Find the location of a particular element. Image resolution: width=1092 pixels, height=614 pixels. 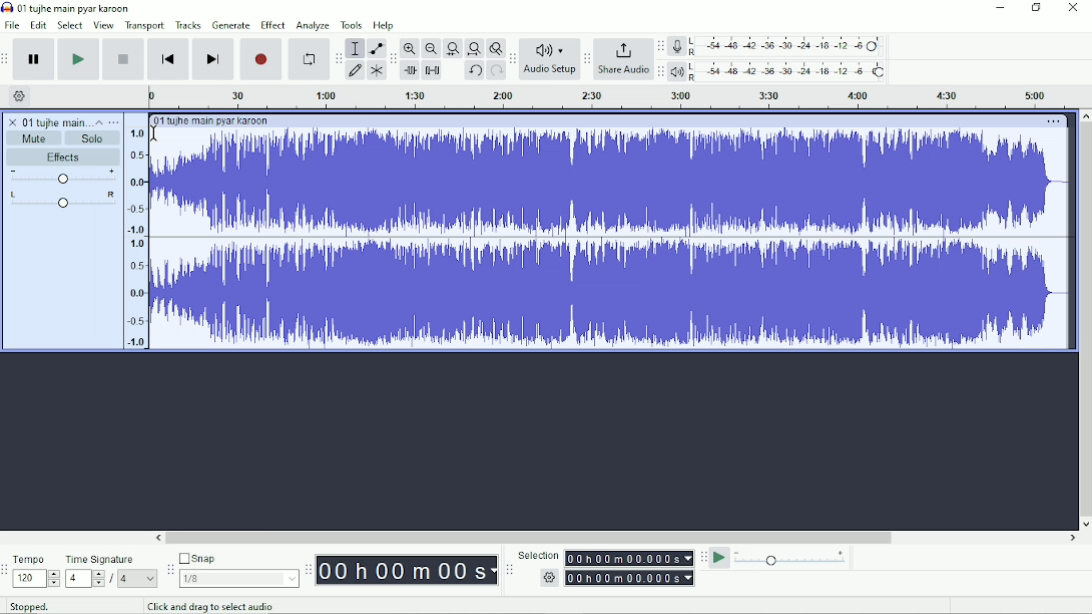

Redo is located at coordinates (496, 71).